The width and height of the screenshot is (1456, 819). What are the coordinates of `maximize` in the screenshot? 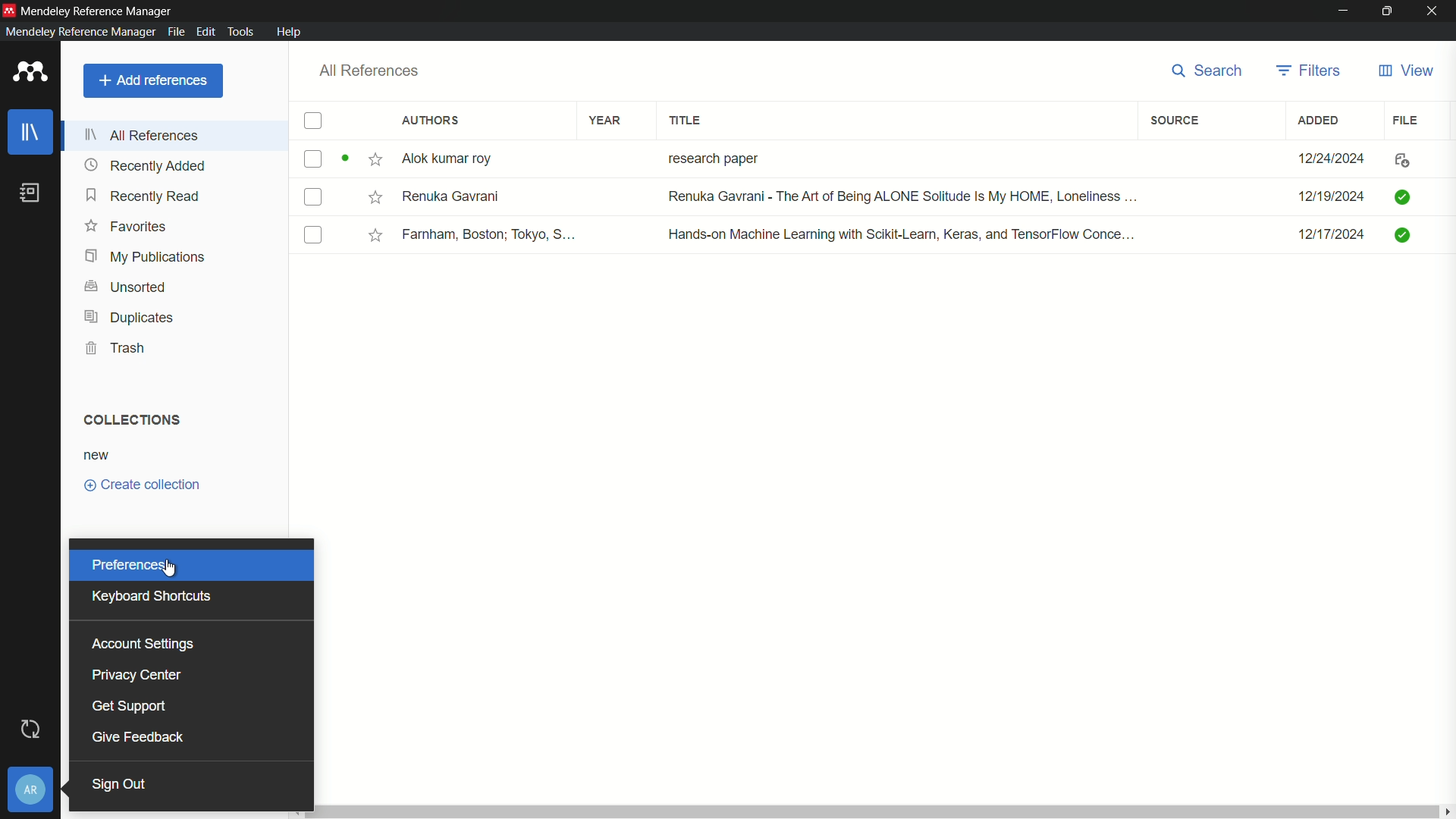 It's located at (1389, 11).